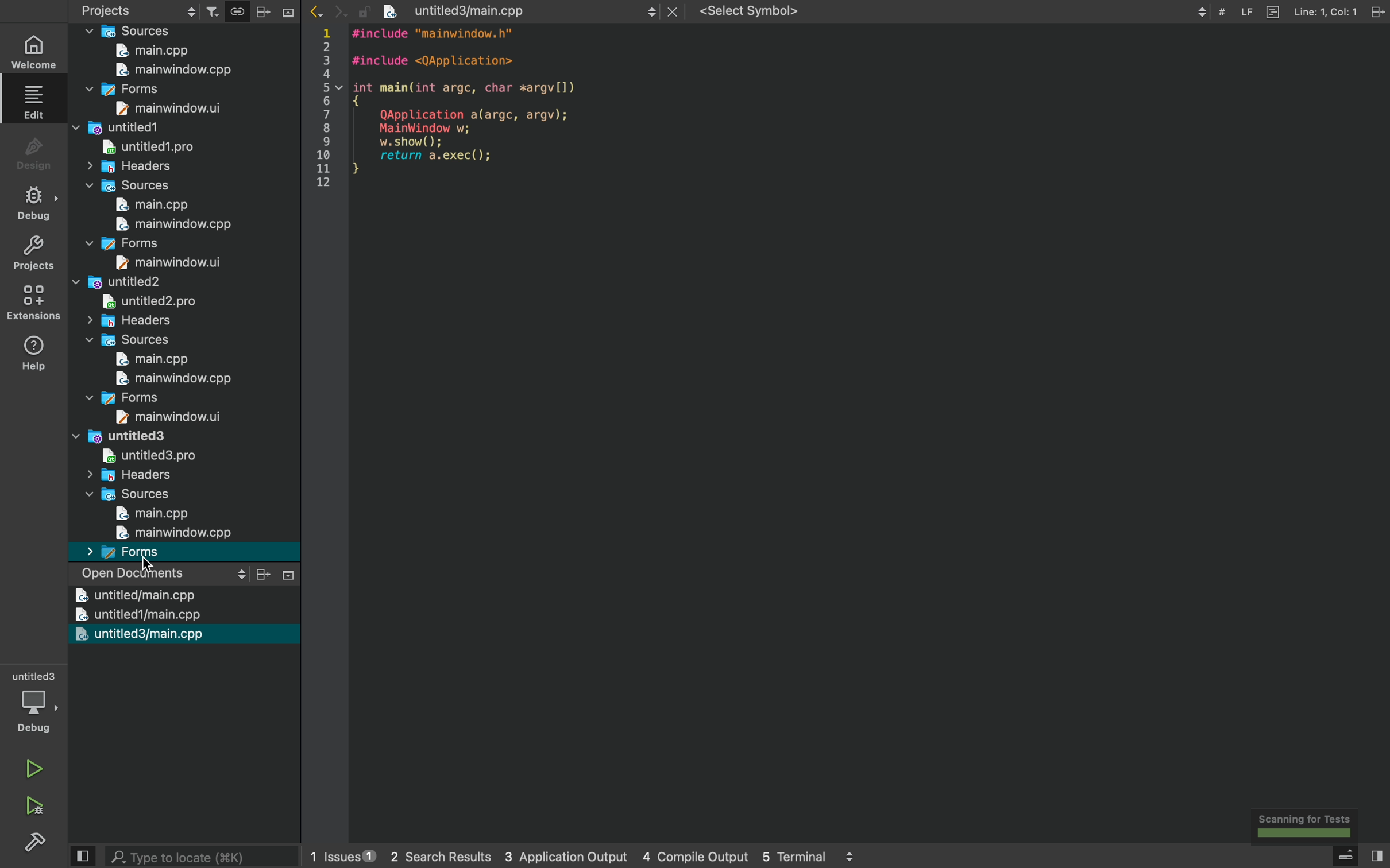 Image resolution: width=1390 pixels, height=868 pixels. Describe the element at coordinates (188, 856) in the screenshot. I see `search bar` at that location.